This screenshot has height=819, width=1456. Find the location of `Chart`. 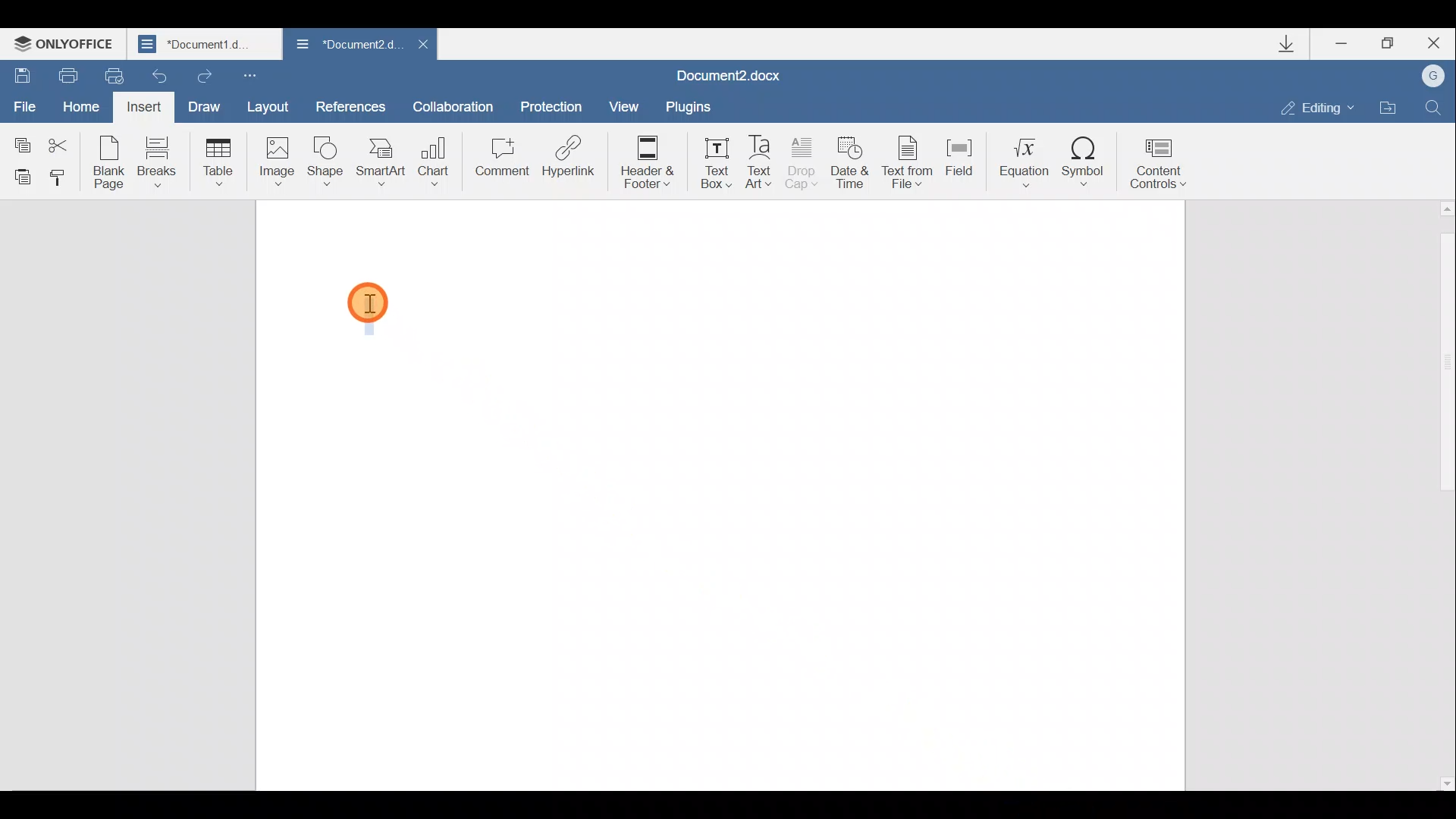

Chart is located at coordinates (437, 155).